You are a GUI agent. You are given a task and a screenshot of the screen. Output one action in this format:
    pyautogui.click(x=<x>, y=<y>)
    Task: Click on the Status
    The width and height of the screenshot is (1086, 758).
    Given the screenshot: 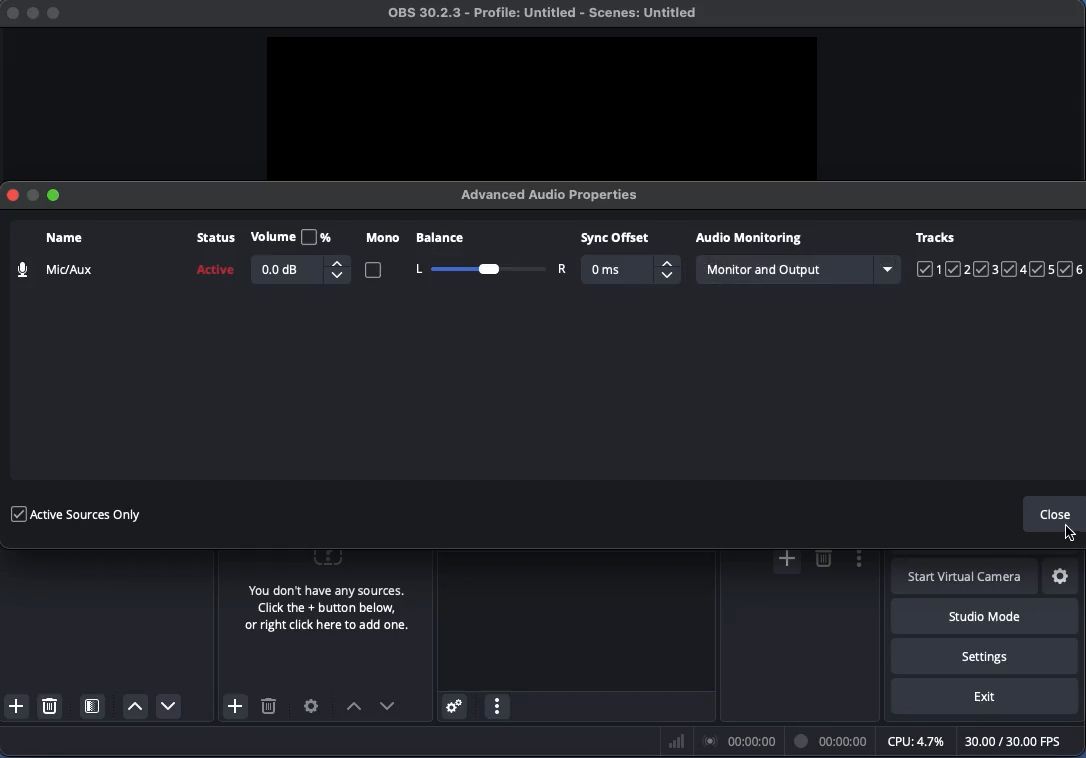 What is the action you would take?
    pyautogui.click(x=213, y=259)
    